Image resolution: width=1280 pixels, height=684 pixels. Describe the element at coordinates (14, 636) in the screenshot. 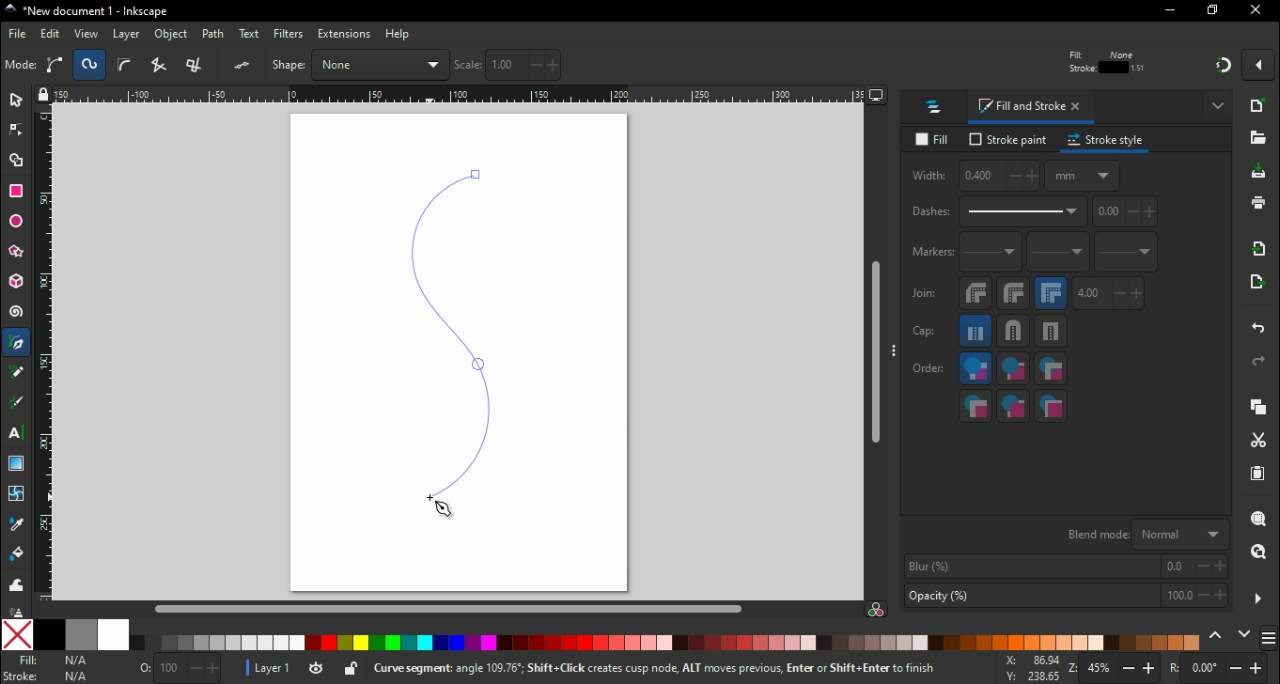

I see `none` at that location.